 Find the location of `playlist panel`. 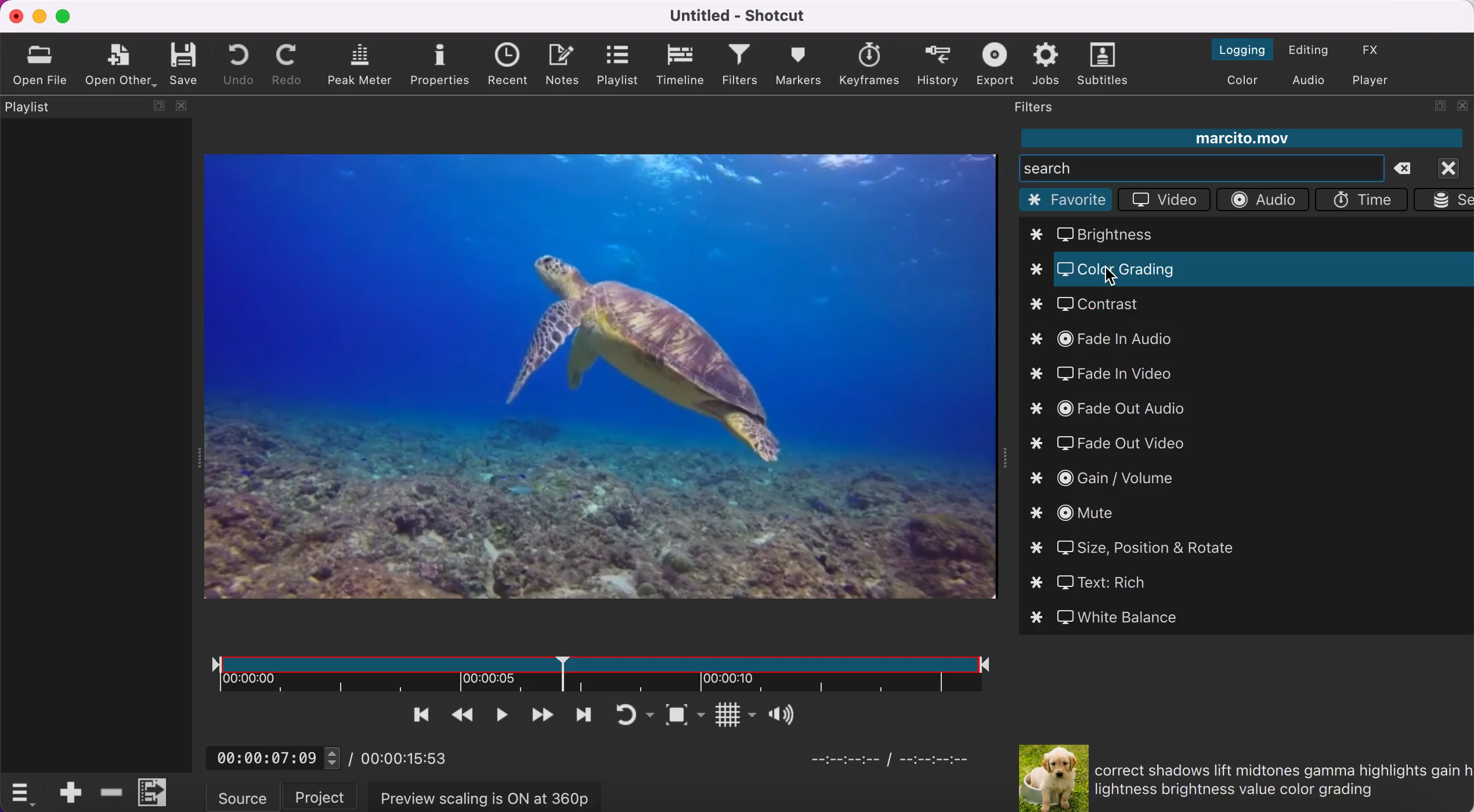

playlist panel is located at coordinates (95, 296).